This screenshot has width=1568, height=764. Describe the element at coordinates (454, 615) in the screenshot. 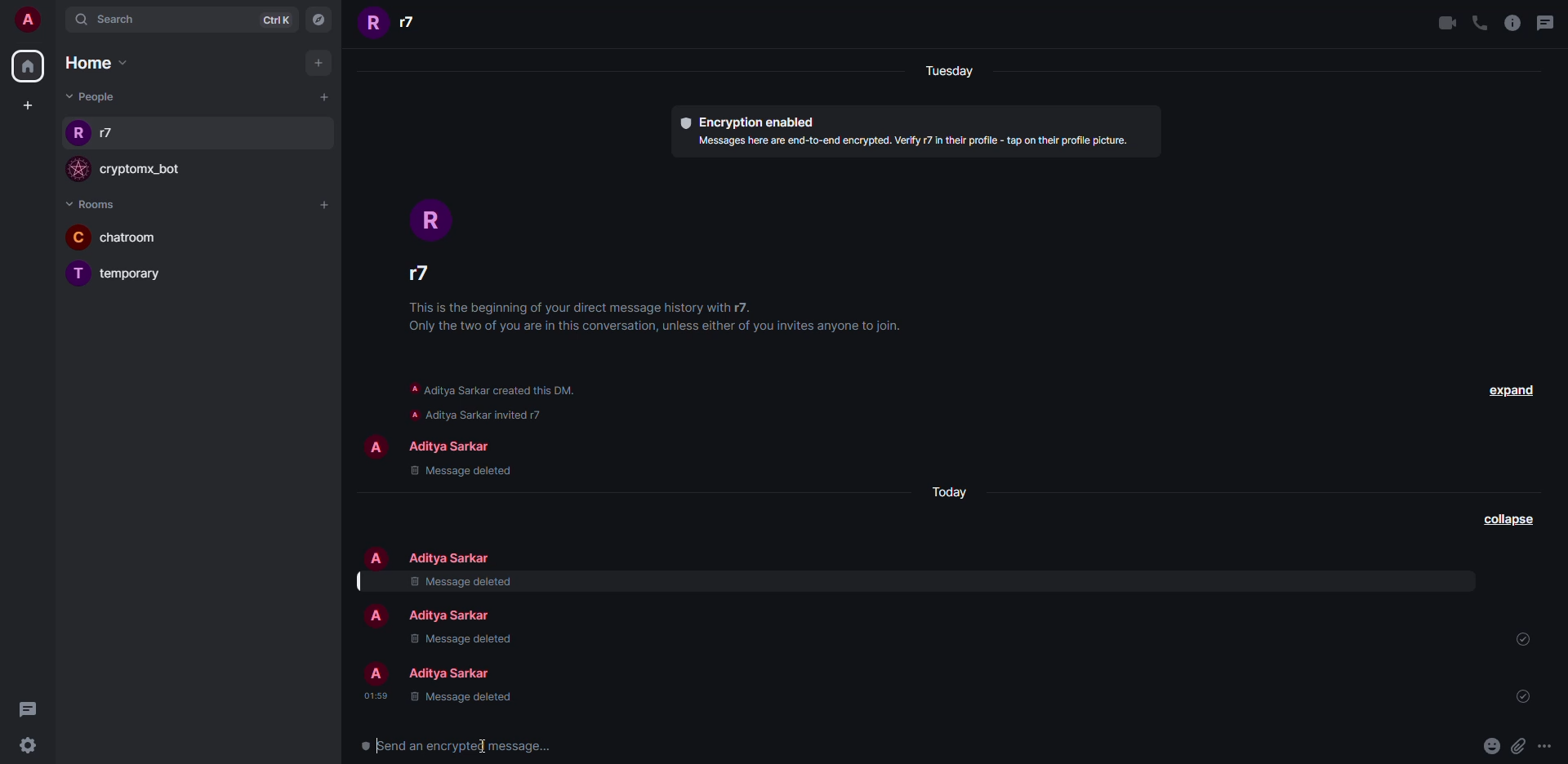

I see `people` at that location.